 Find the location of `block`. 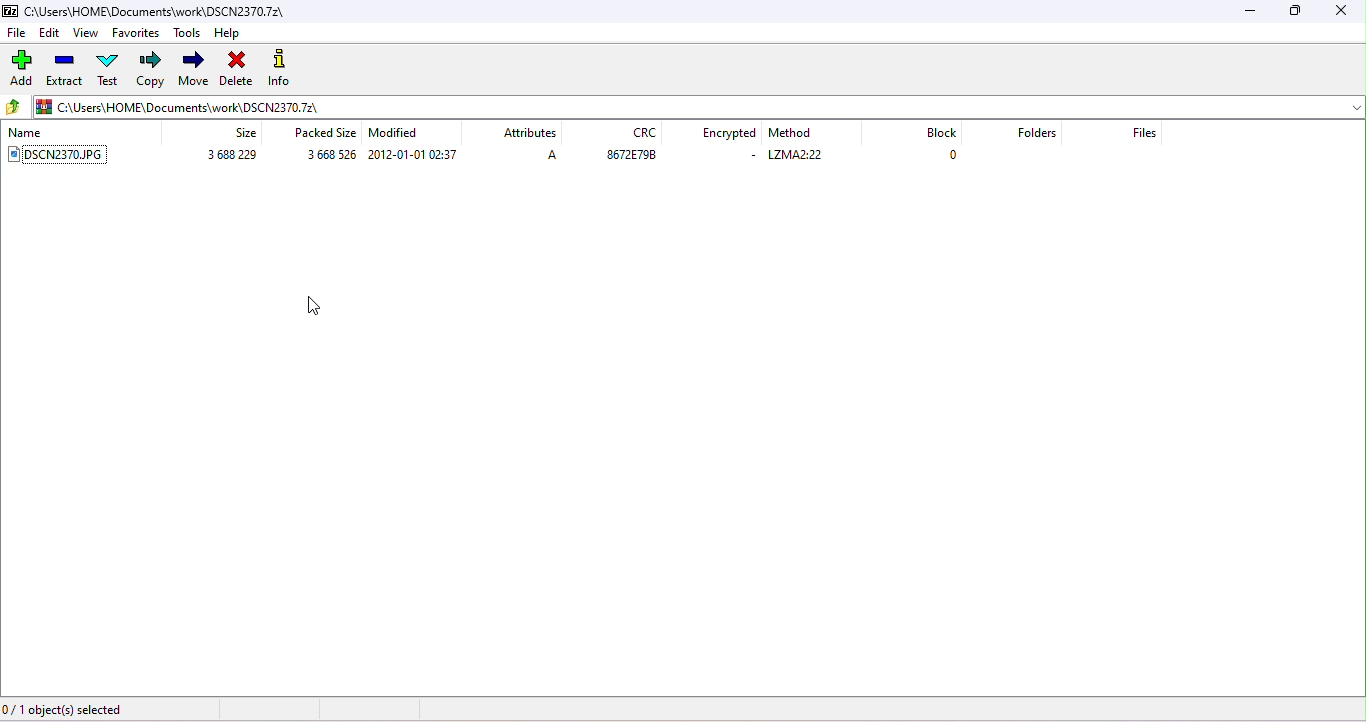

block is located at coordinates (943, 134).